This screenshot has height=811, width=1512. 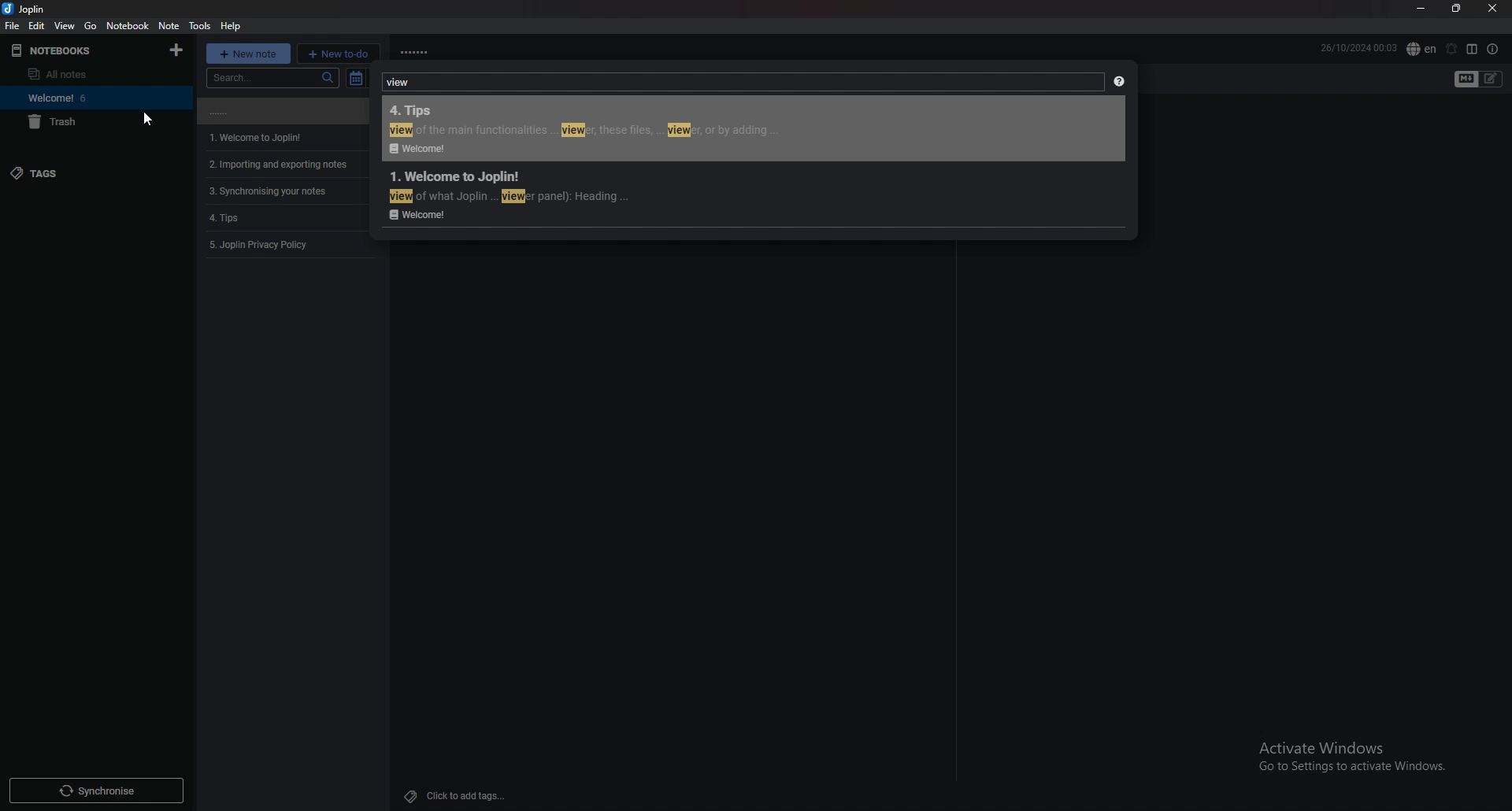 What do you see at coordinates (1118, 82) in the screenshot?
I see `help` at bounding box center [1118, 82].